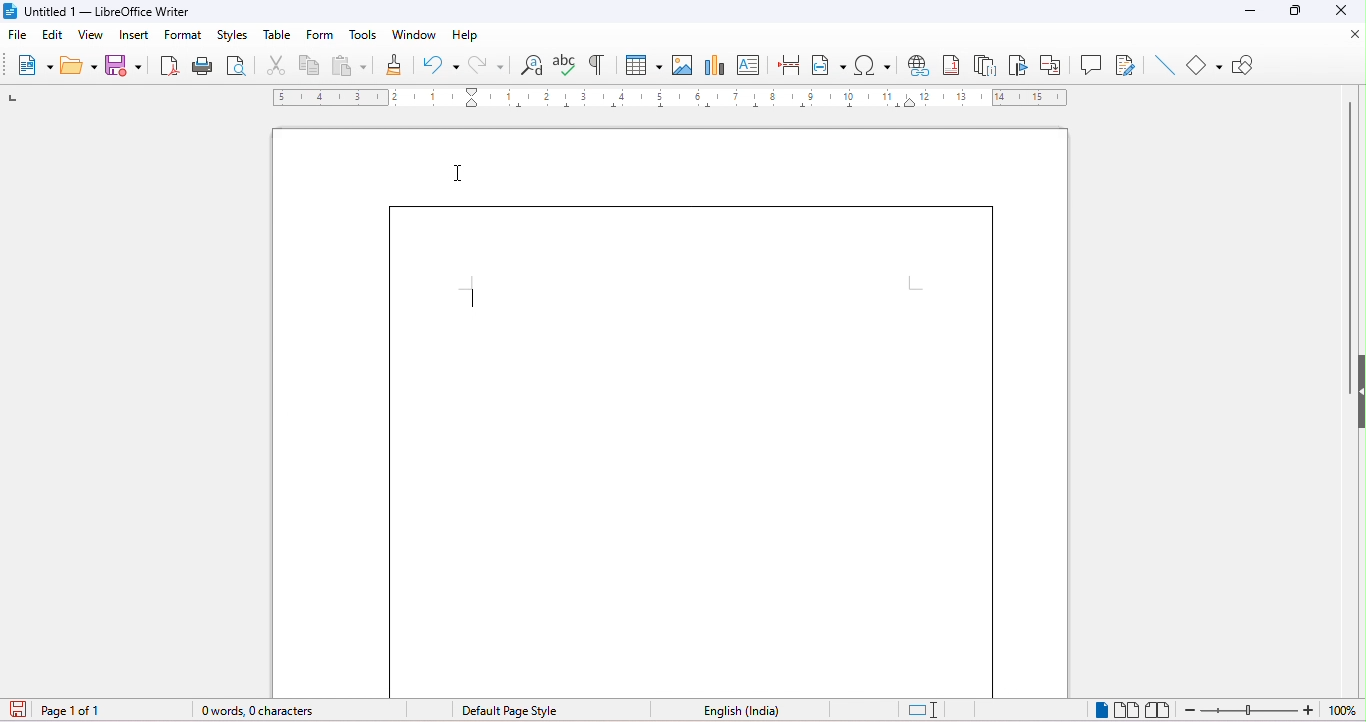 The height and width of the screenshot is (722, 1366). Describe the element at coordinates (125, 65) in the screenshot. I see `save` at that location.